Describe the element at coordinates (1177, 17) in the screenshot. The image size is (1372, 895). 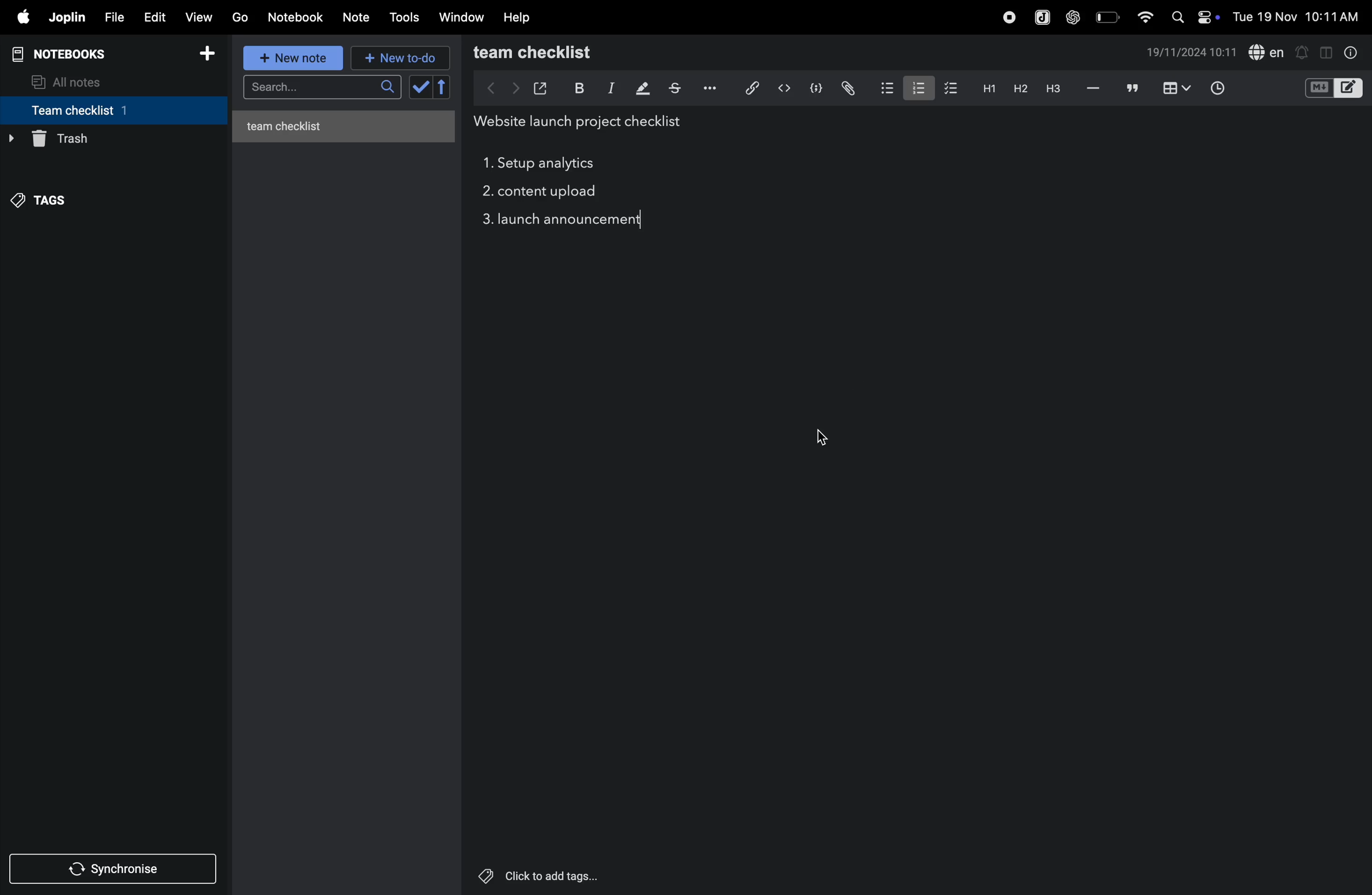
I see `search` at that location.